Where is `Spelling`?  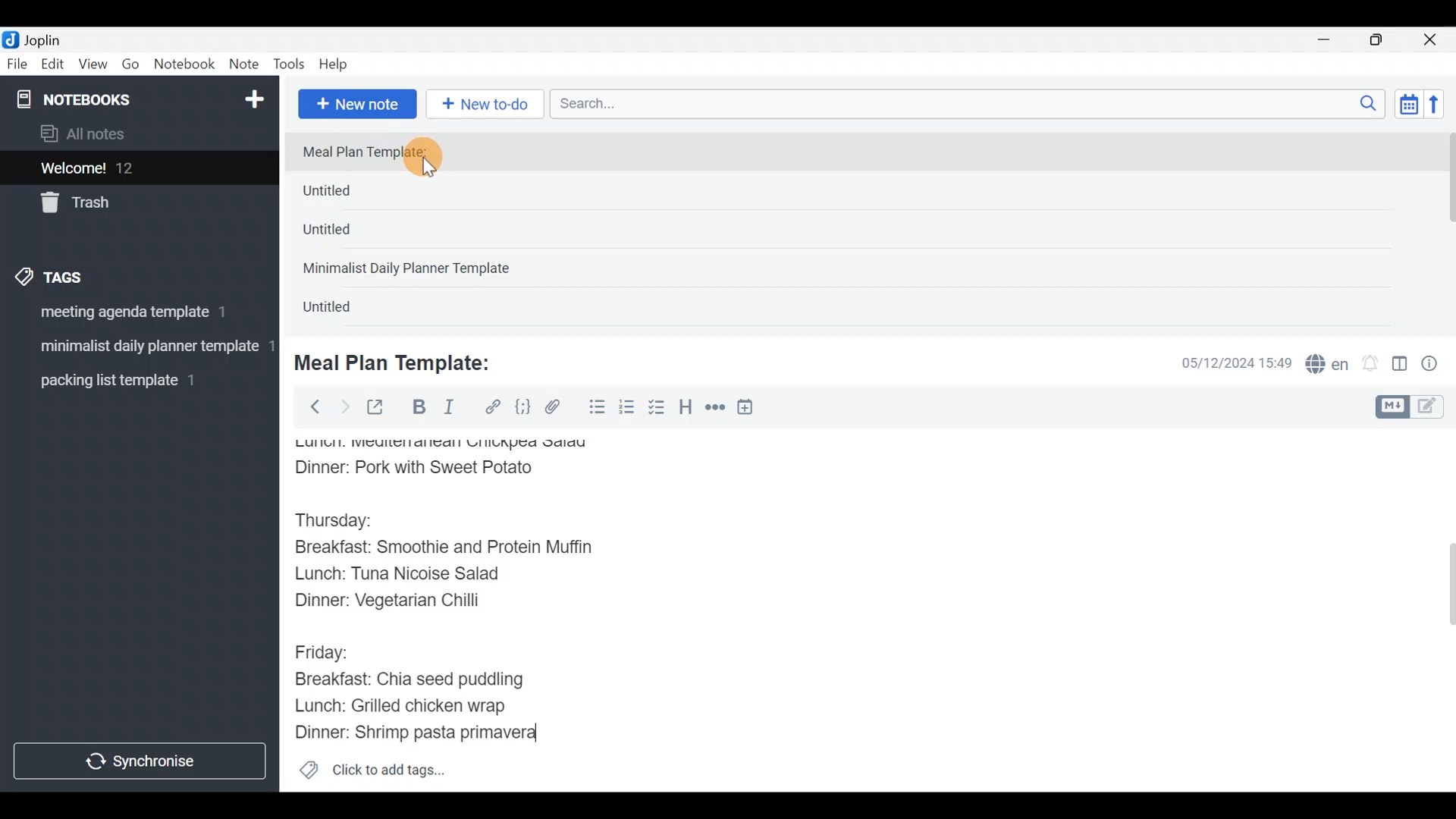 Spelling is located at coordinates (1328, 366).